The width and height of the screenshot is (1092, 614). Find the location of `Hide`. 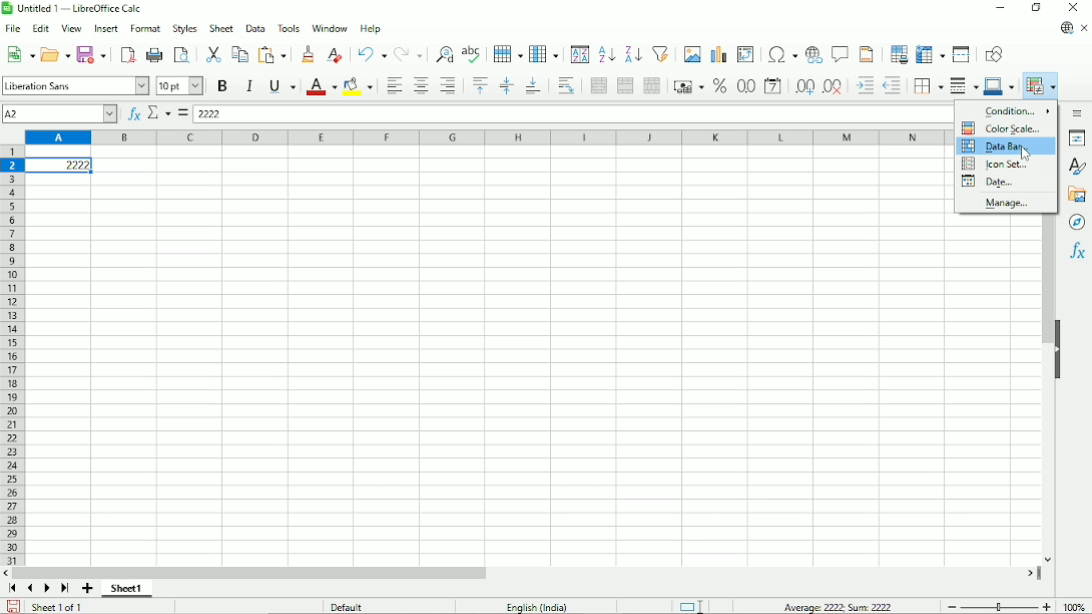

Hide is located at coordinates (1059, 350).